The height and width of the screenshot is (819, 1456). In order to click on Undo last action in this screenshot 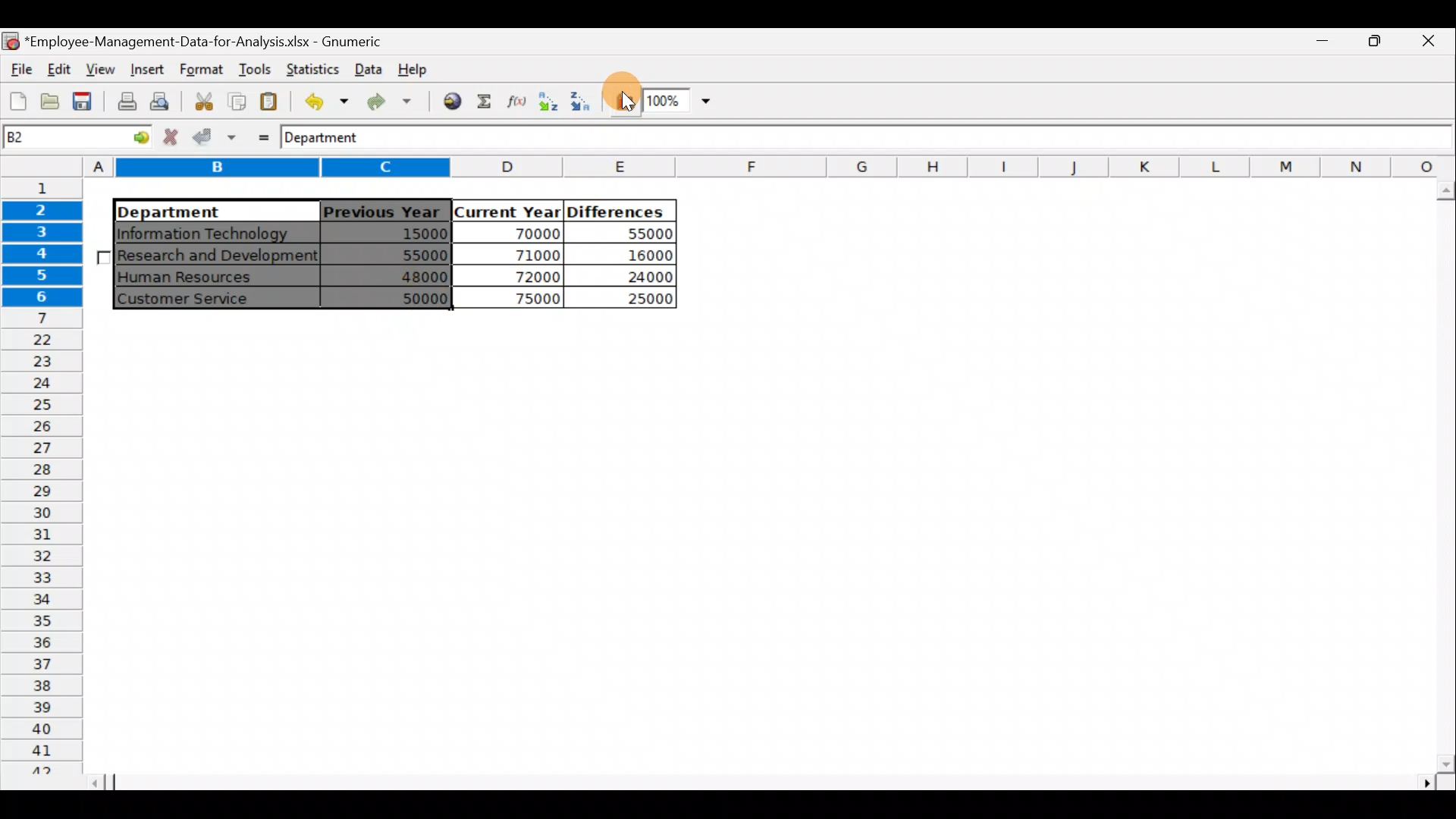, I will do `click(324, 101)`.